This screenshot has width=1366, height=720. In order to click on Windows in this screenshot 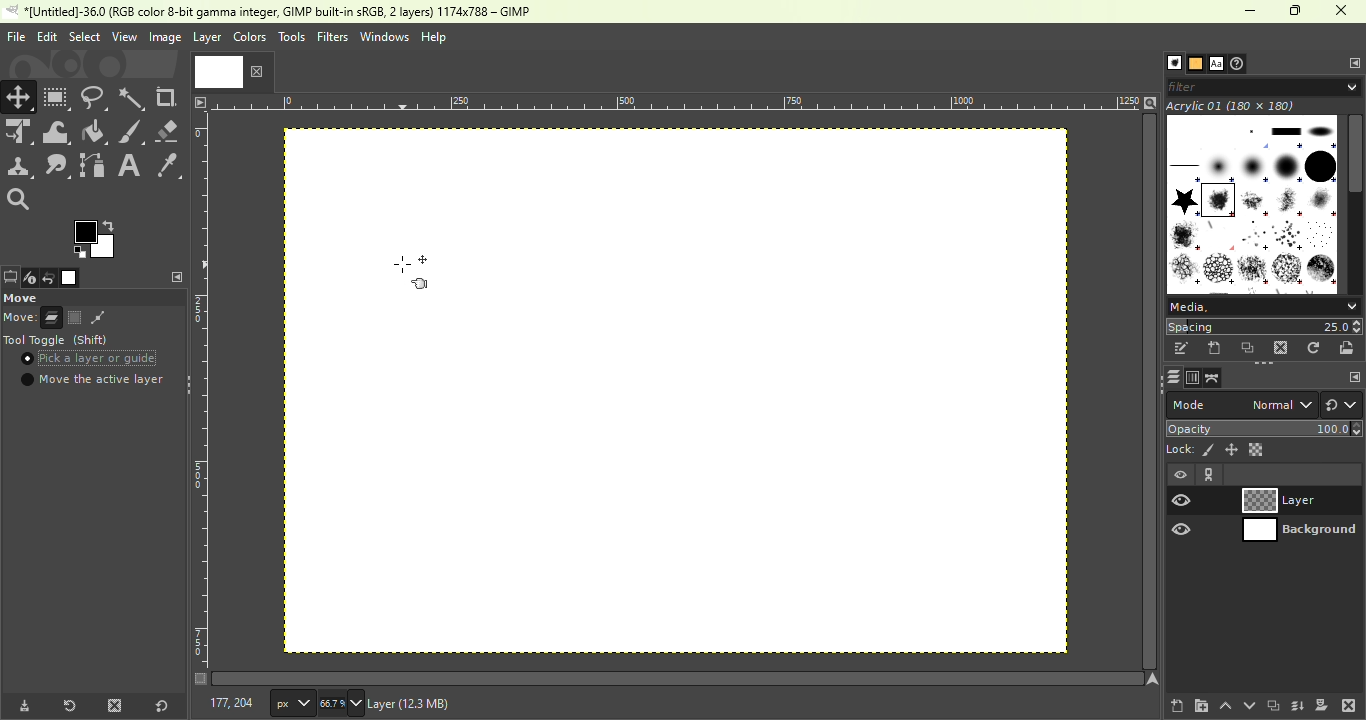, I will do `click(384, 37)`.